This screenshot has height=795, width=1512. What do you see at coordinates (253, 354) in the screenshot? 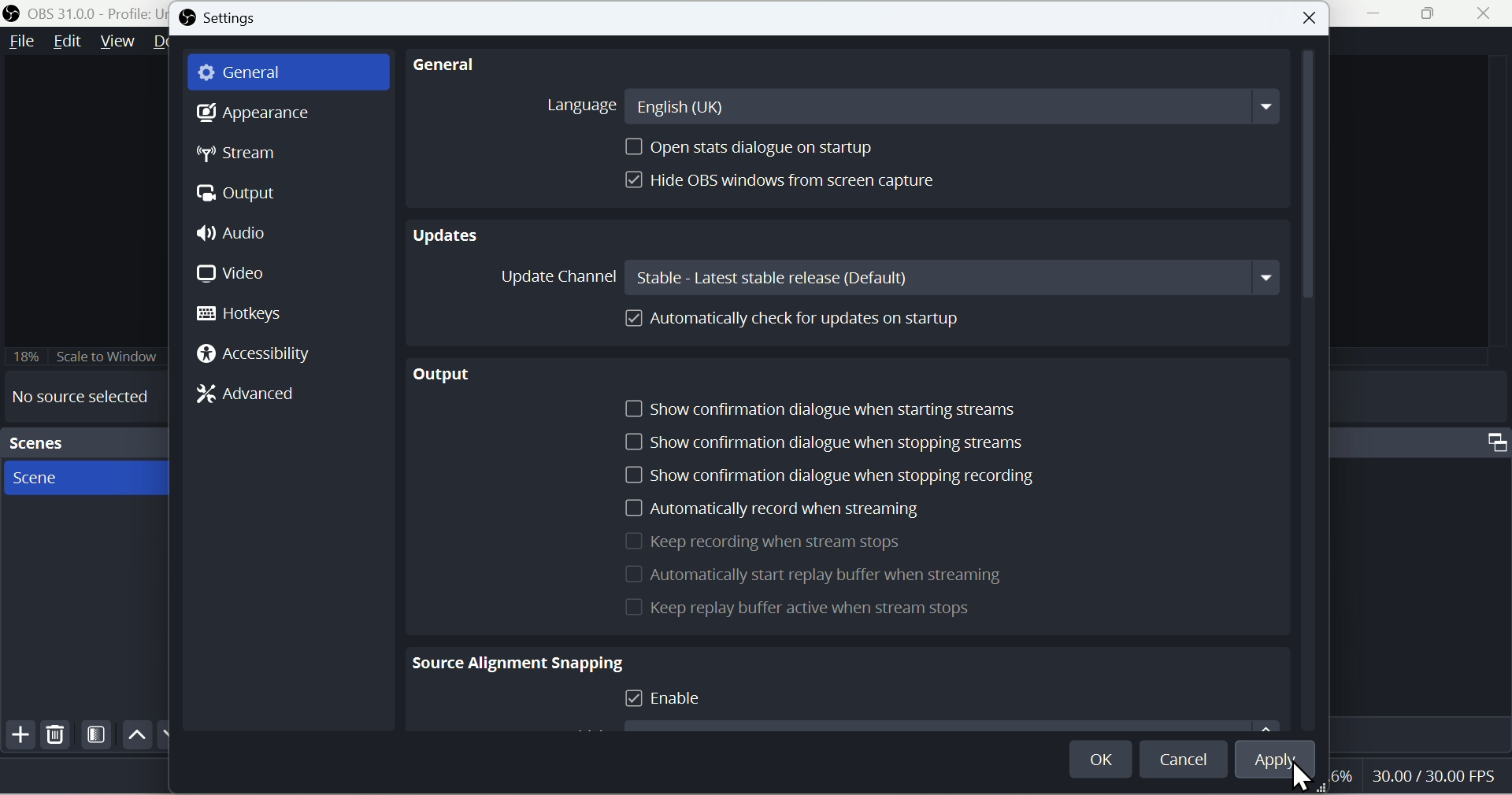
I see `Accessibility` at bounding box center [253, 354].